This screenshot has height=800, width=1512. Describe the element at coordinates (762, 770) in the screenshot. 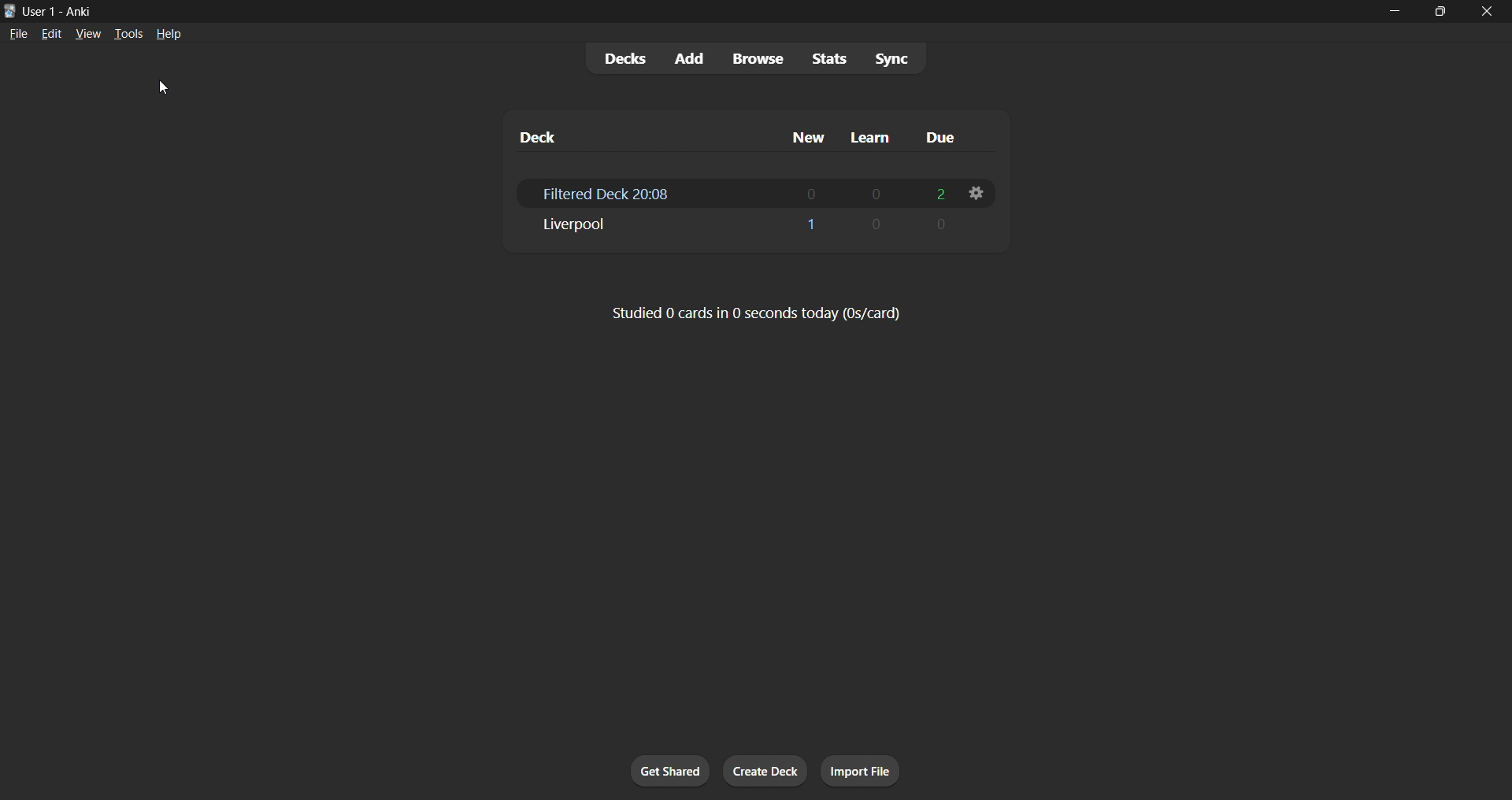

I see `create deck` at that location.